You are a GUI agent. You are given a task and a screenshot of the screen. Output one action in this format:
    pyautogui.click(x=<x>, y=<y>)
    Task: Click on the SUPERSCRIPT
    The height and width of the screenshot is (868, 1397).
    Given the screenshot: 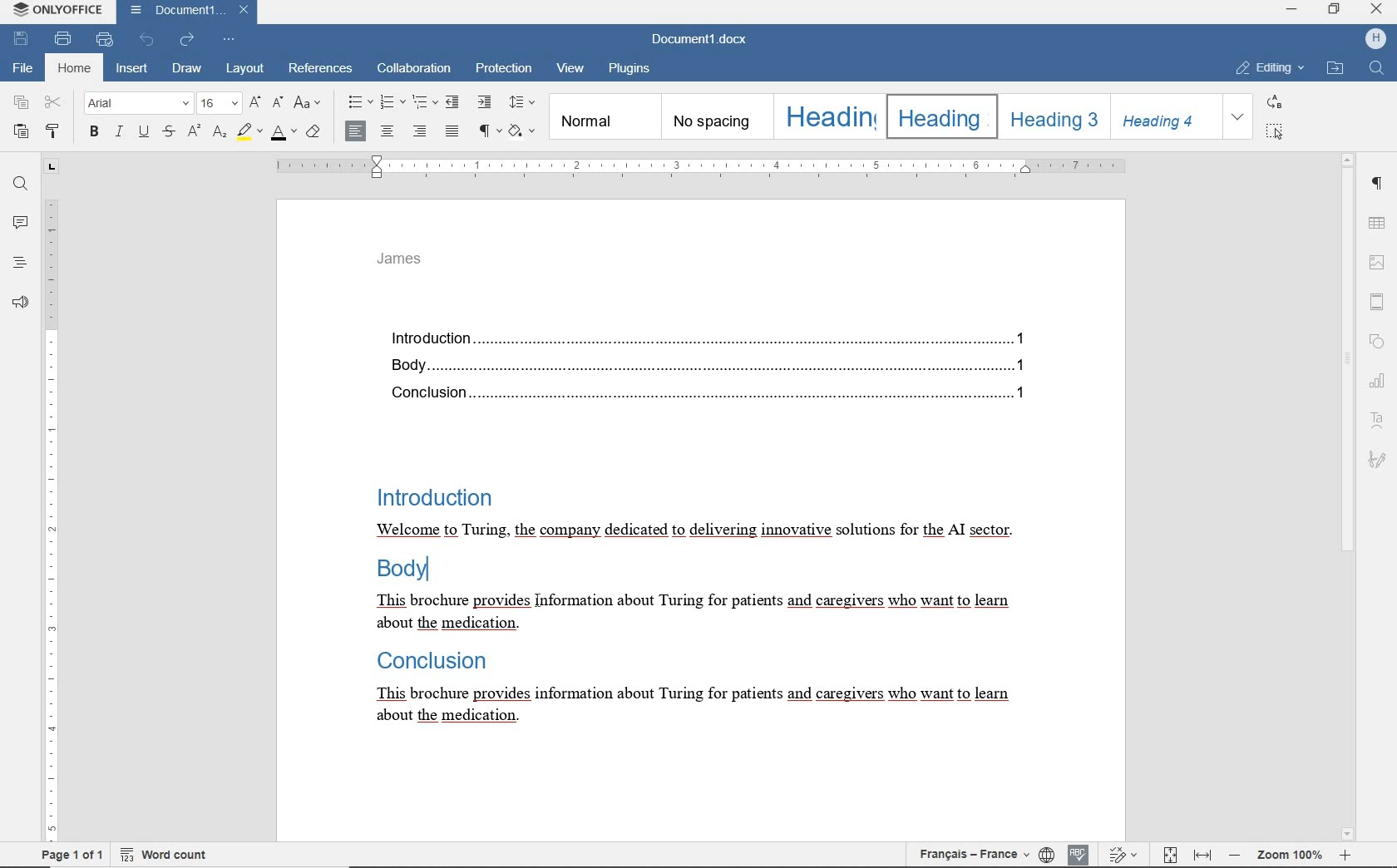 What is the action you would take?
    pyautogui.click(x=193, y=131)
    